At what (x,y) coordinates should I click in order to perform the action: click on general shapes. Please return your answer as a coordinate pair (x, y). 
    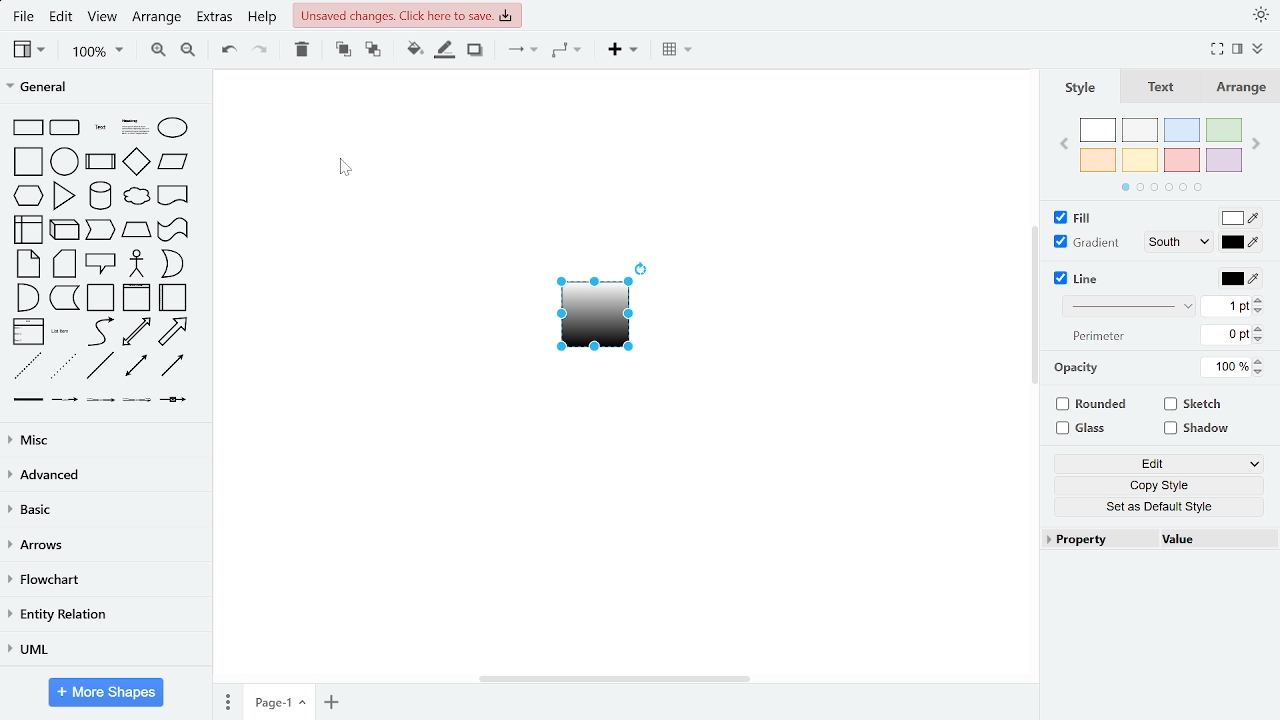
    Looking at the image, I should click on (26, 296).